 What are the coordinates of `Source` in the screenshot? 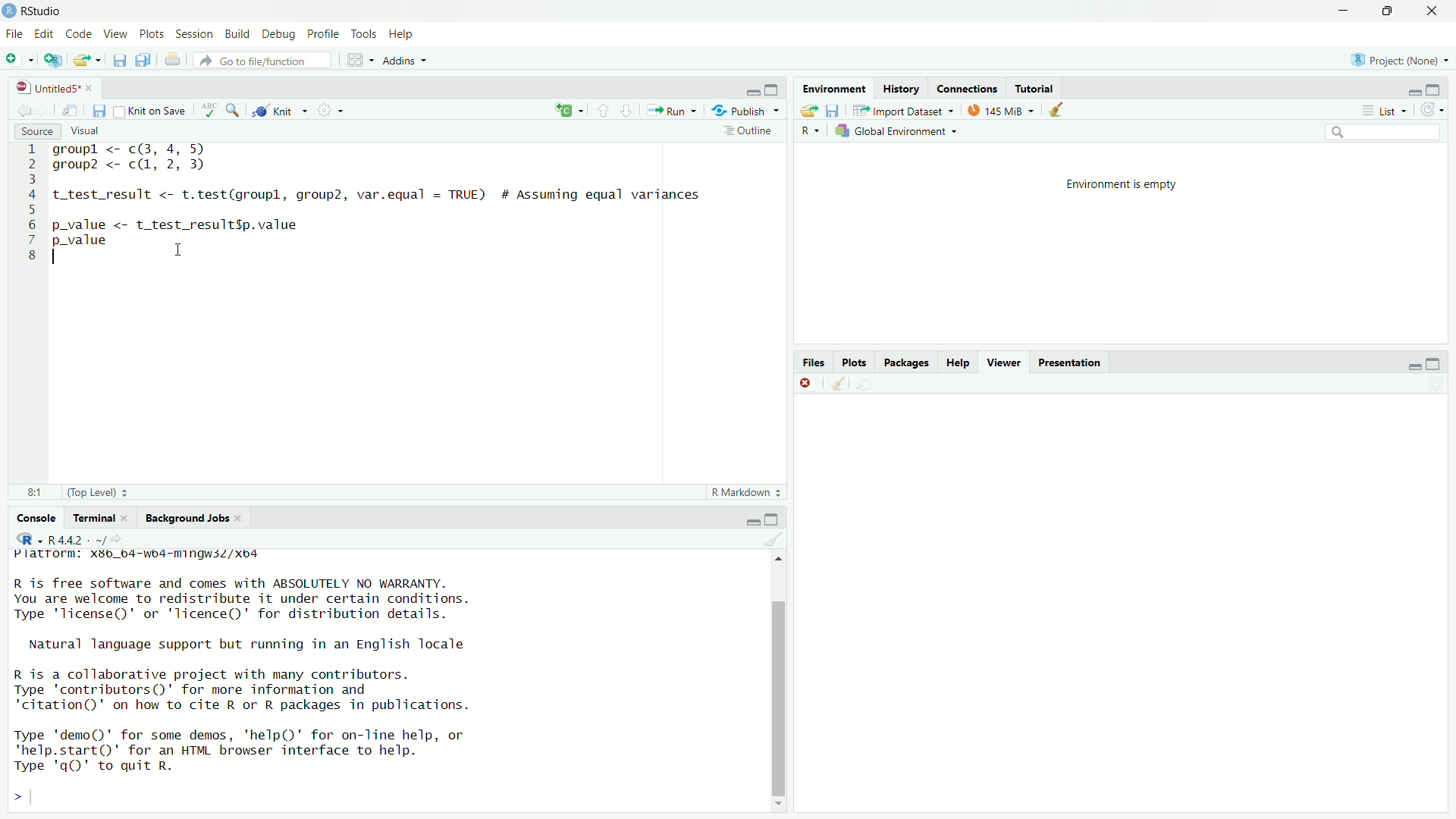 It's located at (34, 131).